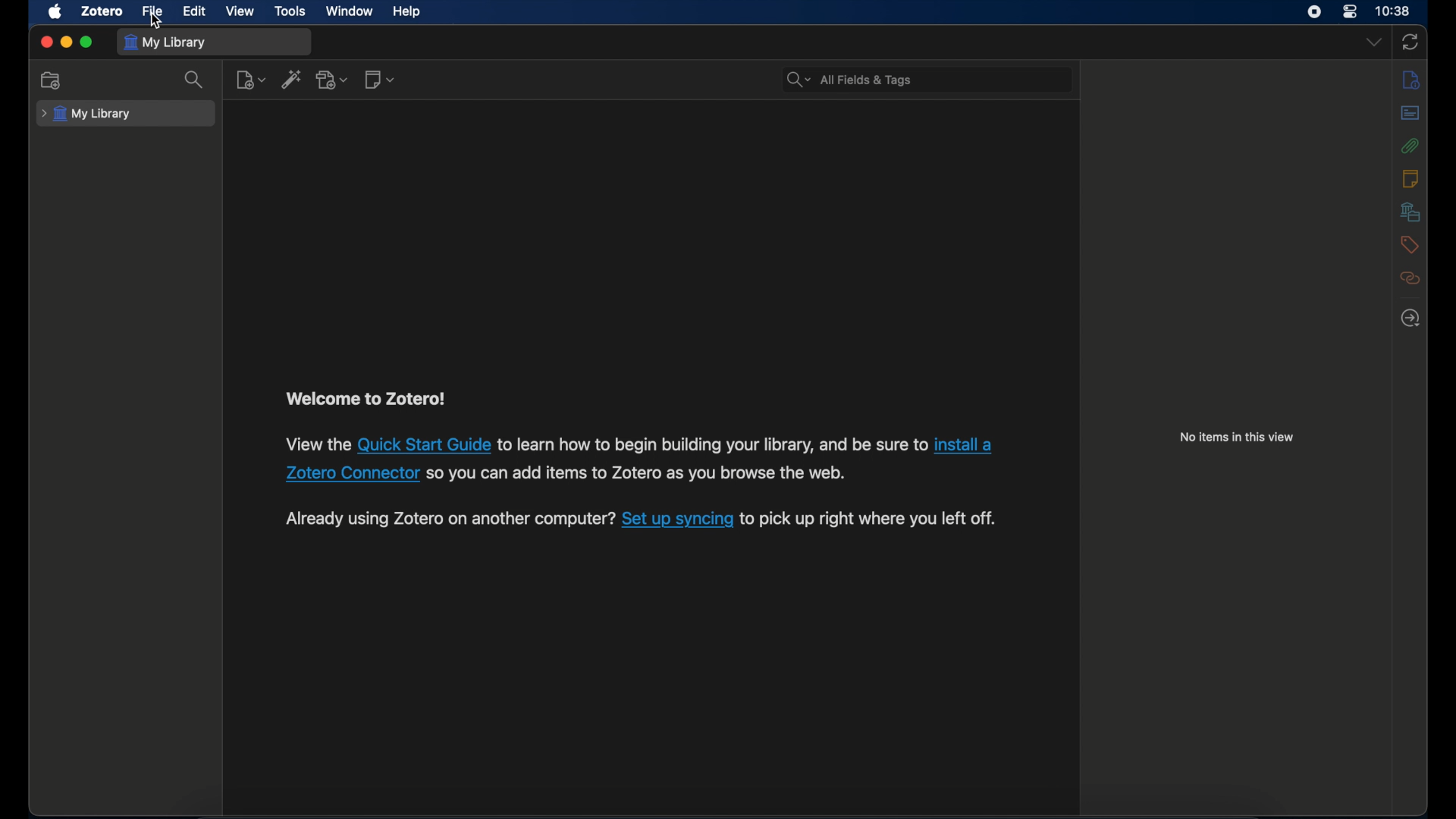 Image resolution: width=1456 pixels, height=819 pixels. What do you see at coordinates (365, 399) in the screenshot?
I see `welcome to zotero` at bounding box center [365, 399].